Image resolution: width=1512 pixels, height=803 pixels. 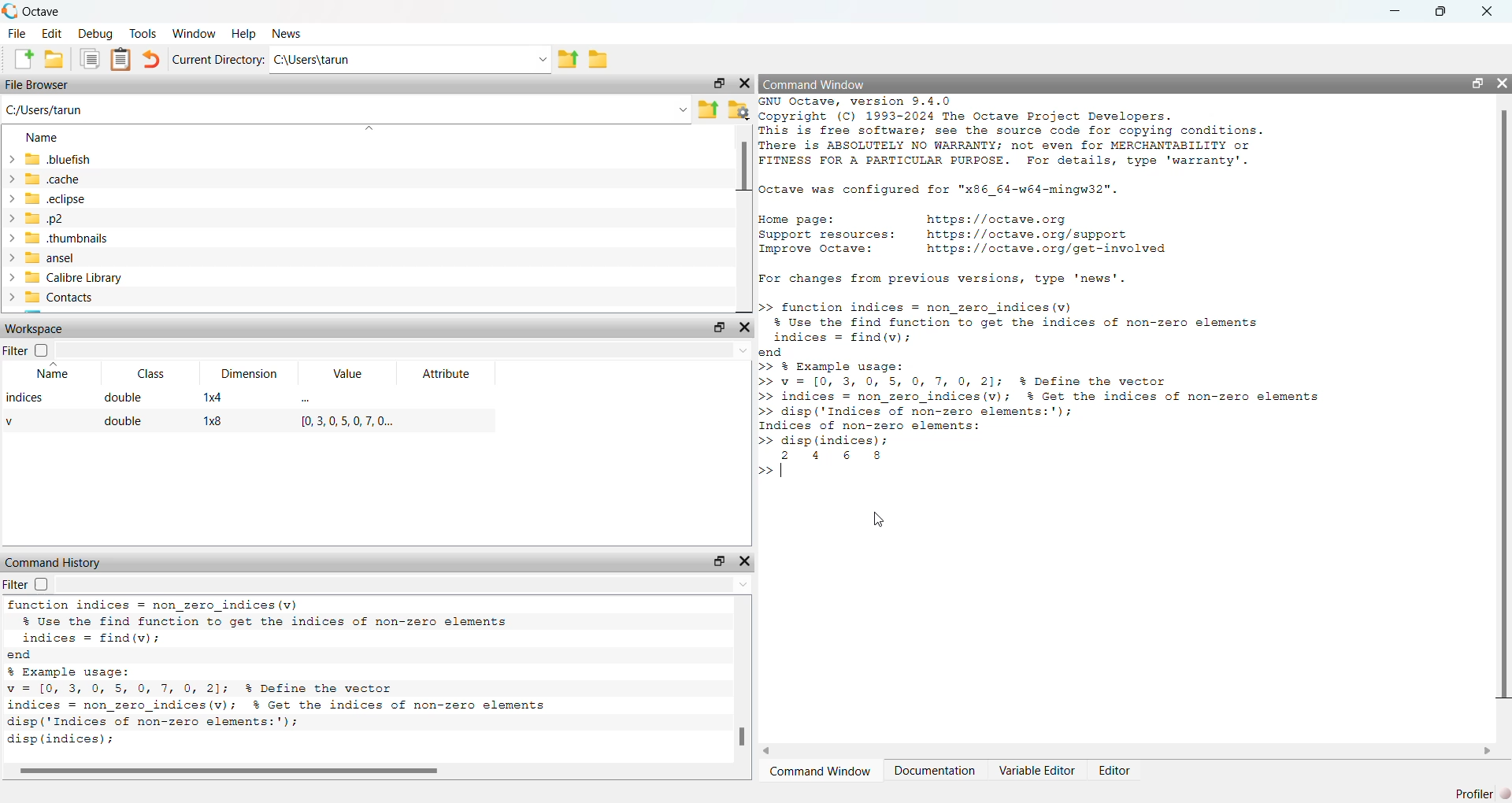 What do you see at coordinates (935, 775) in the screenshot?
I see `Documentation` at bounding box center [935, 775].